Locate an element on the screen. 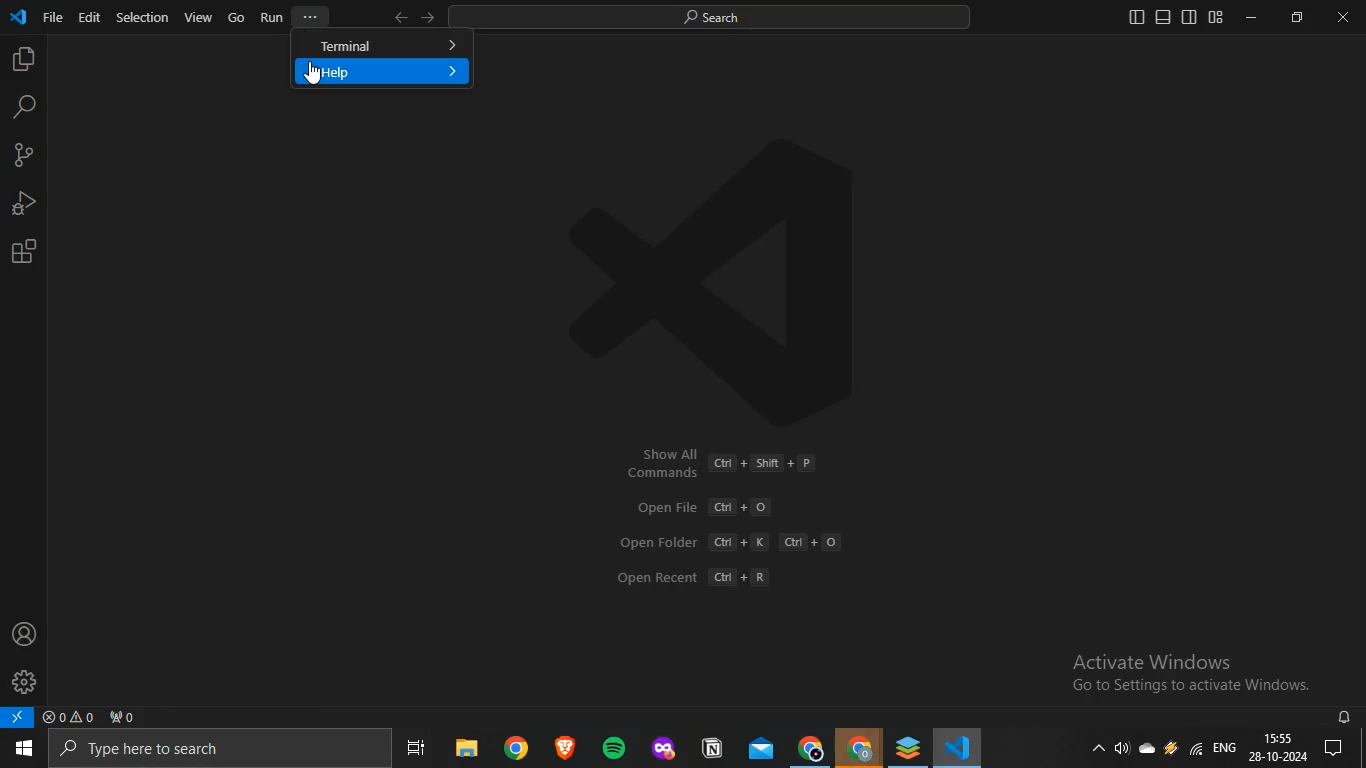 This screenshot has height=768, width=1366. google chrome is located at coordinates (513, 750).